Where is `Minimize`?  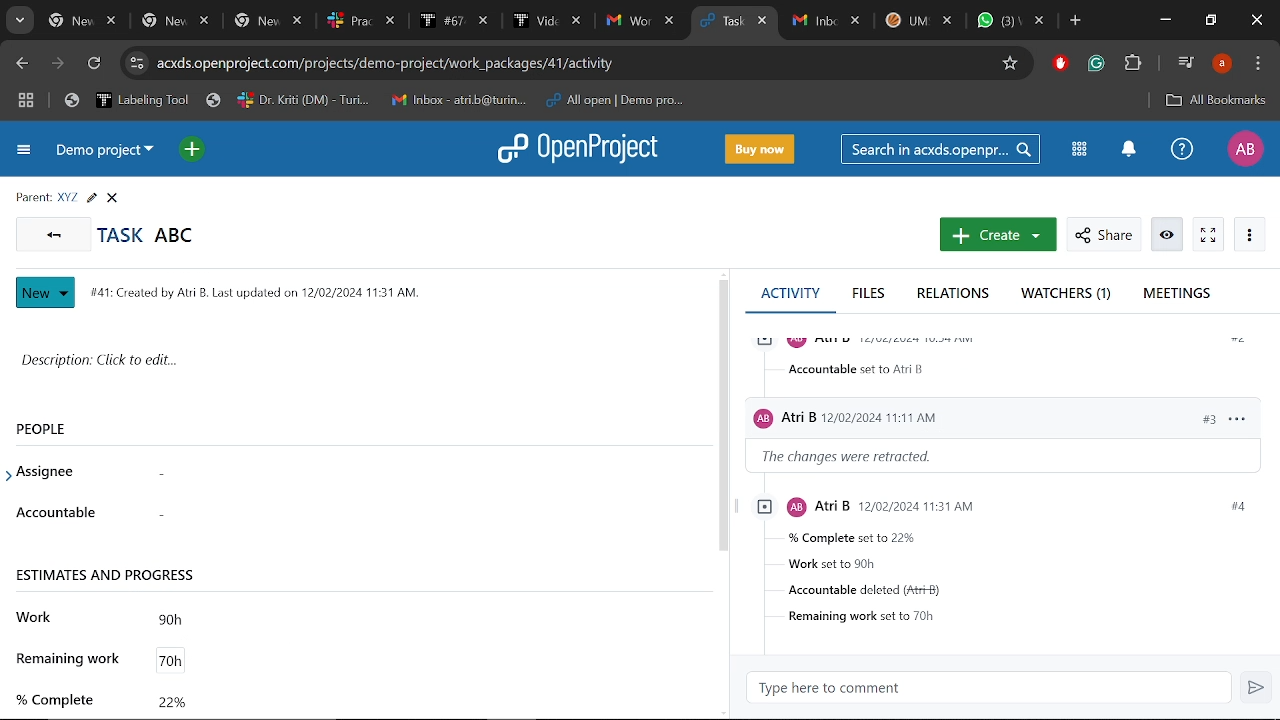
Minimize is located at coordinates (1164, 22).